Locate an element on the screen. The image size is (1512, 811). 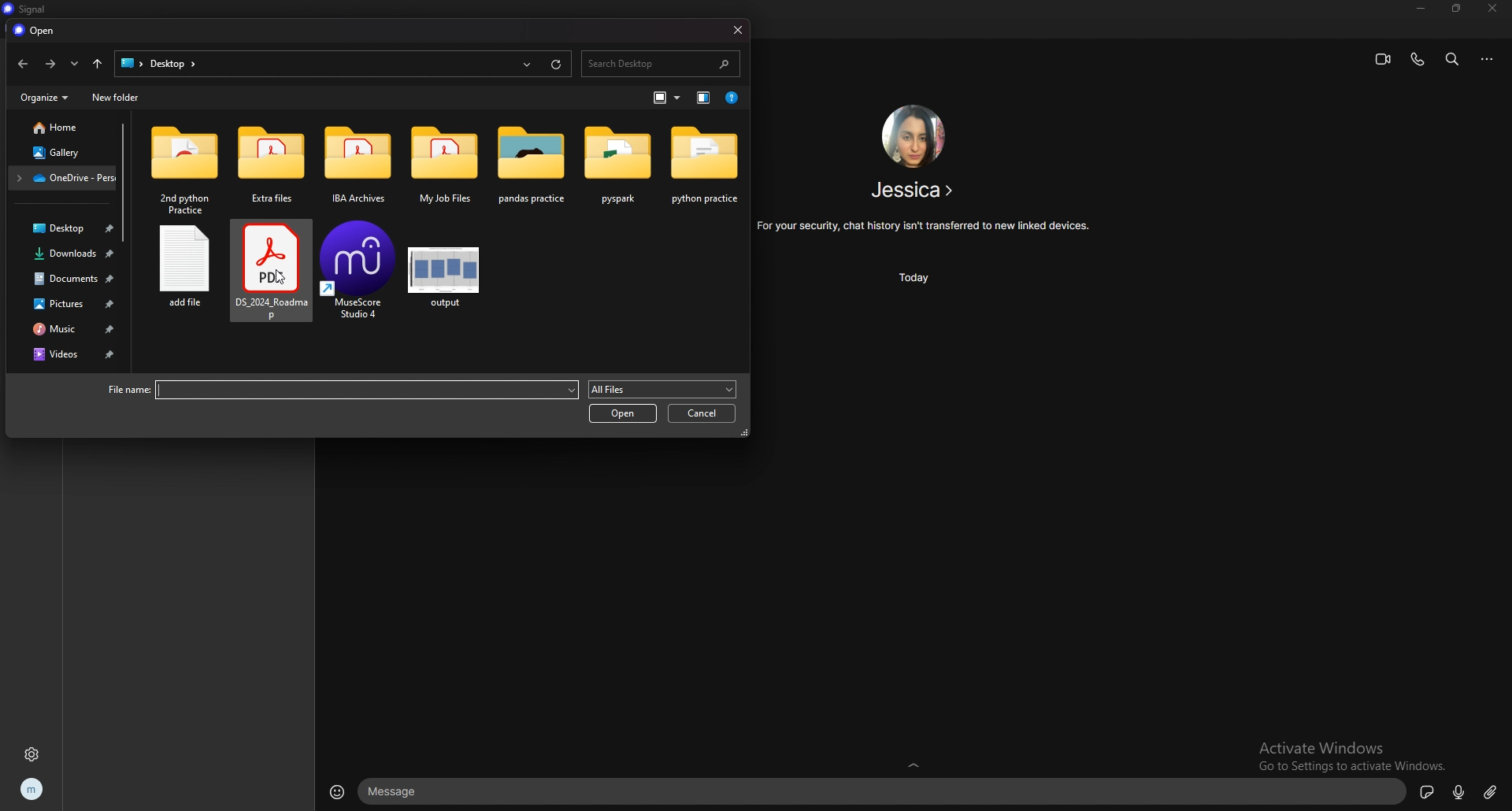
folder is located at coordinates (358, 167).